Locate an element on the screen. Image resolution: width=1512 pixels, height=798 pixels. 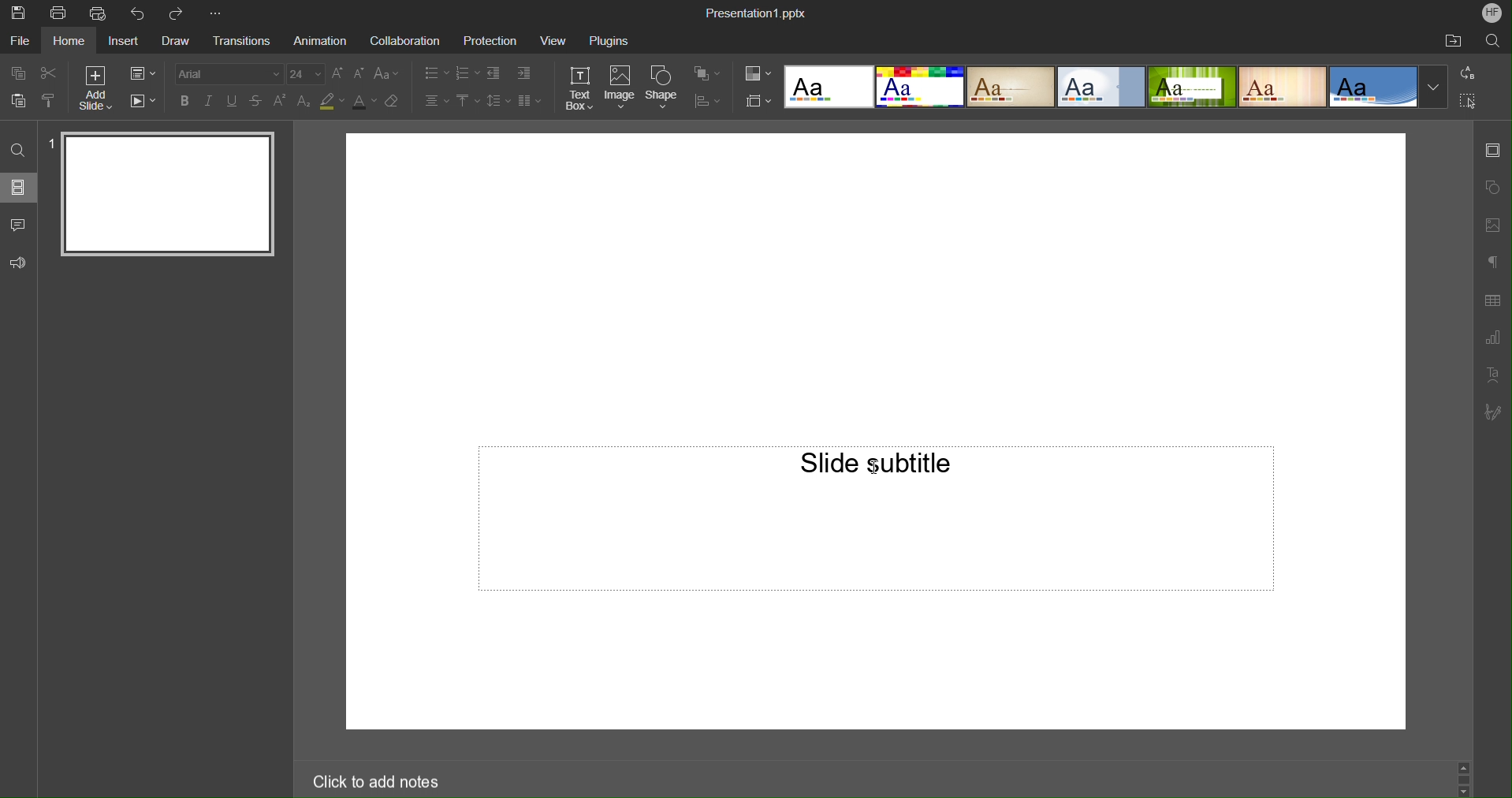
template is located at coordinates (1282, 87).